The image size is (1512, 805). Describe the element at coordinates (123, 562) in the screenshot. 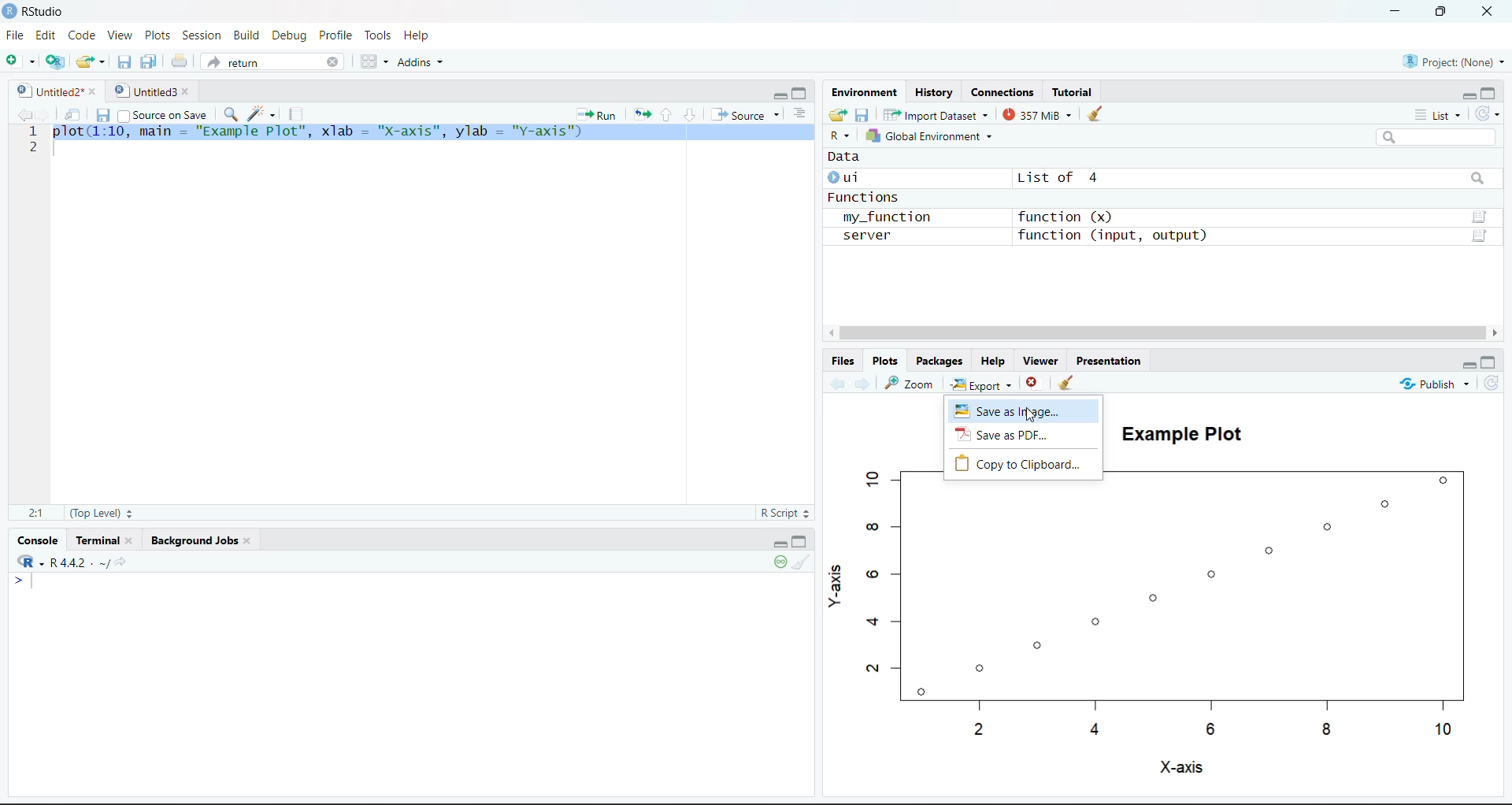

I see `View the current working directory` at that location.